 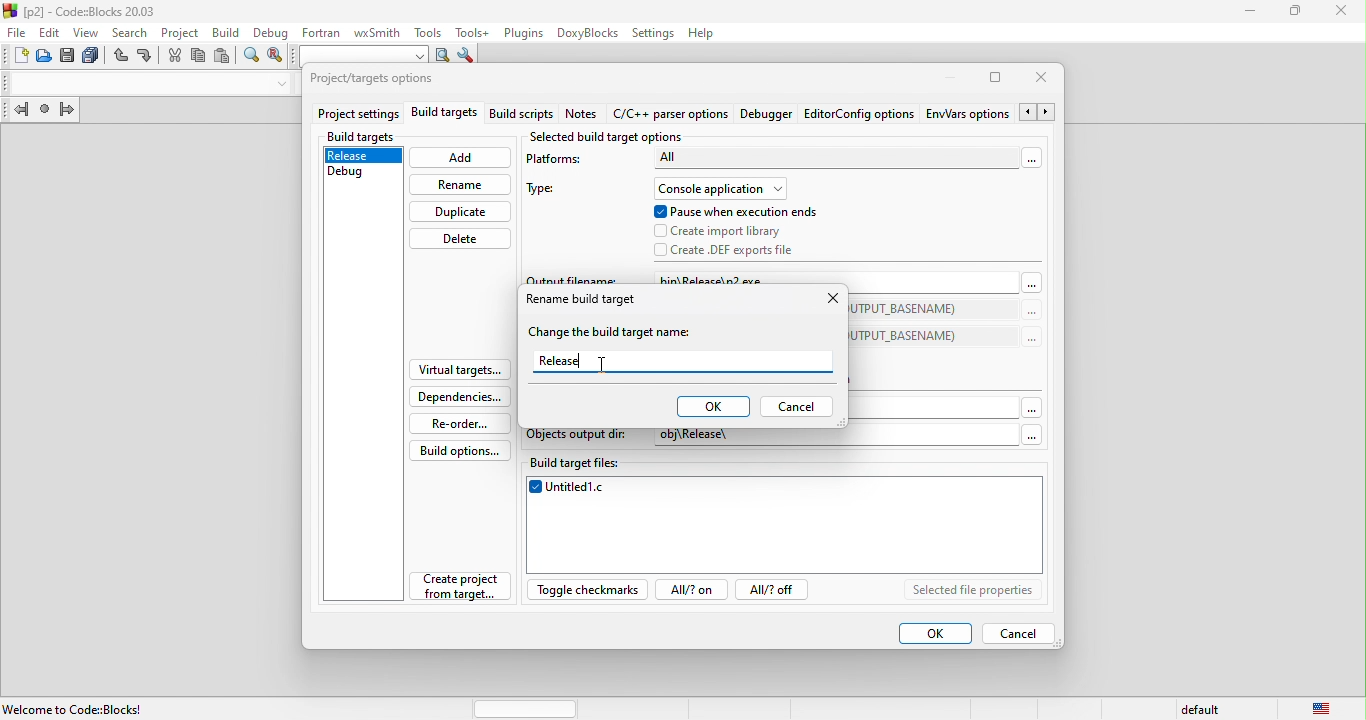 What do you see at coordinates (443, 56) in the screenshot?
I see `run search` at bounding box center [443, 56].